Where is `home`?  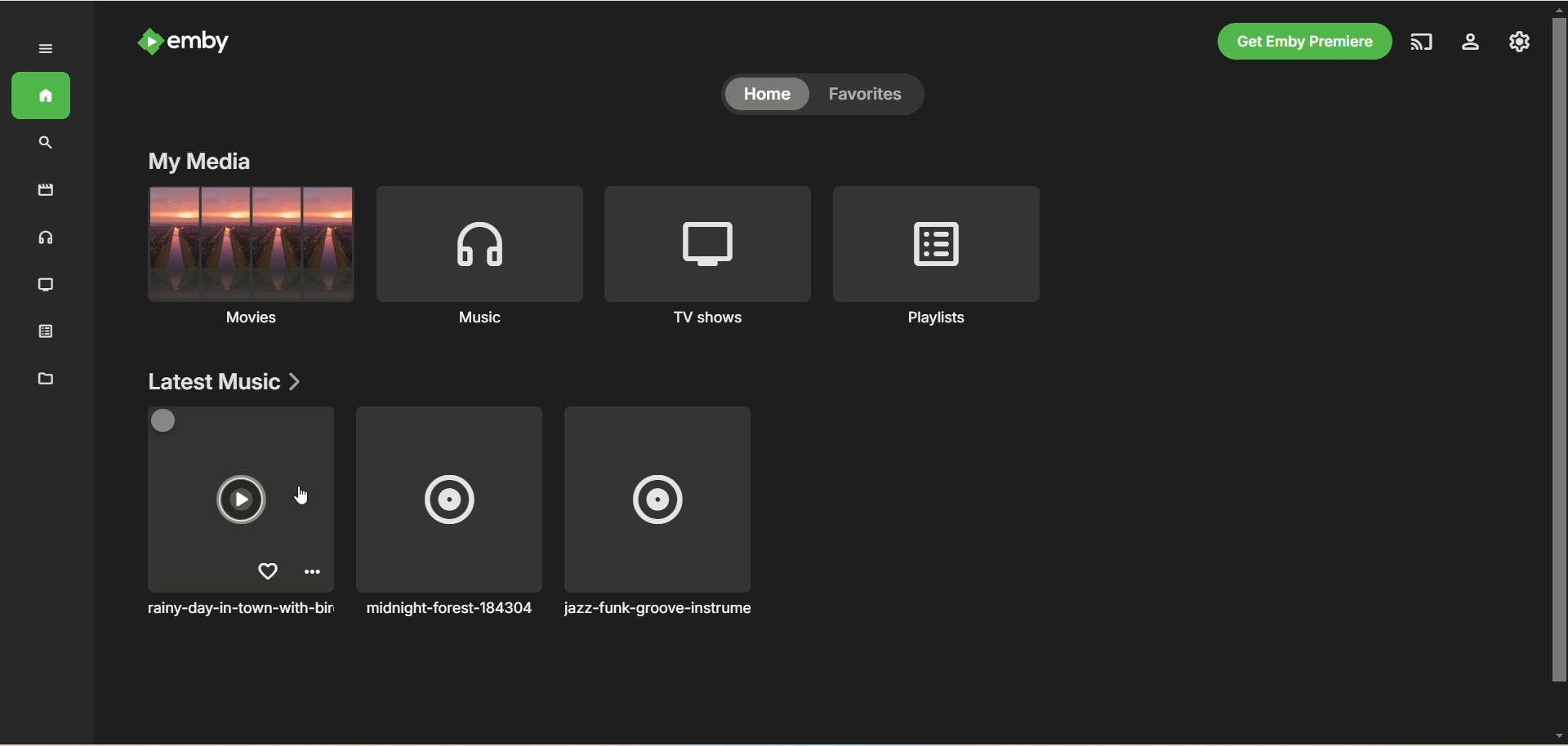
home is located at coordinates (768, 93).